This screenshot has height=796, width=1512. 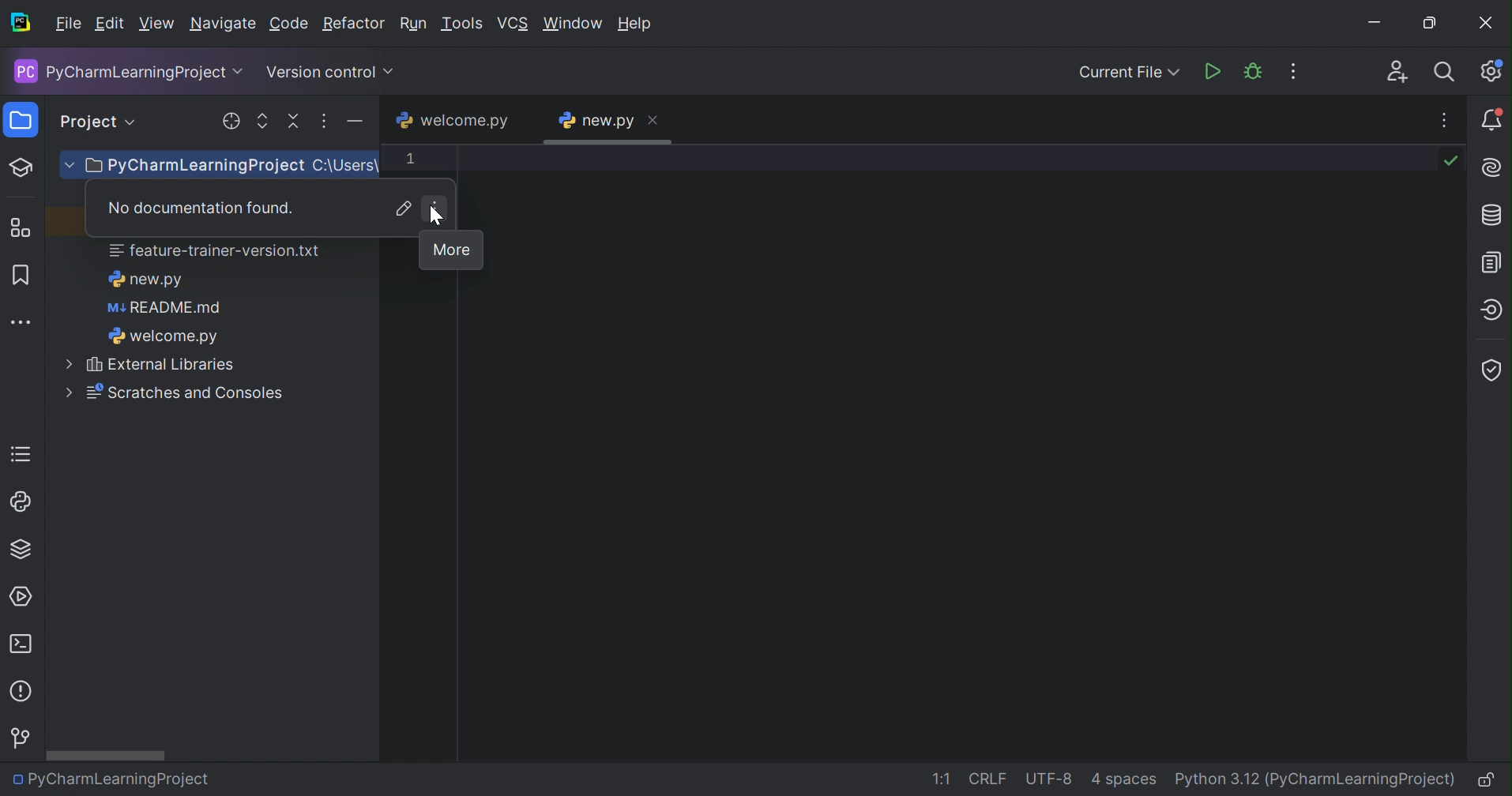 I want to click on File, so click(x=67, y=24).